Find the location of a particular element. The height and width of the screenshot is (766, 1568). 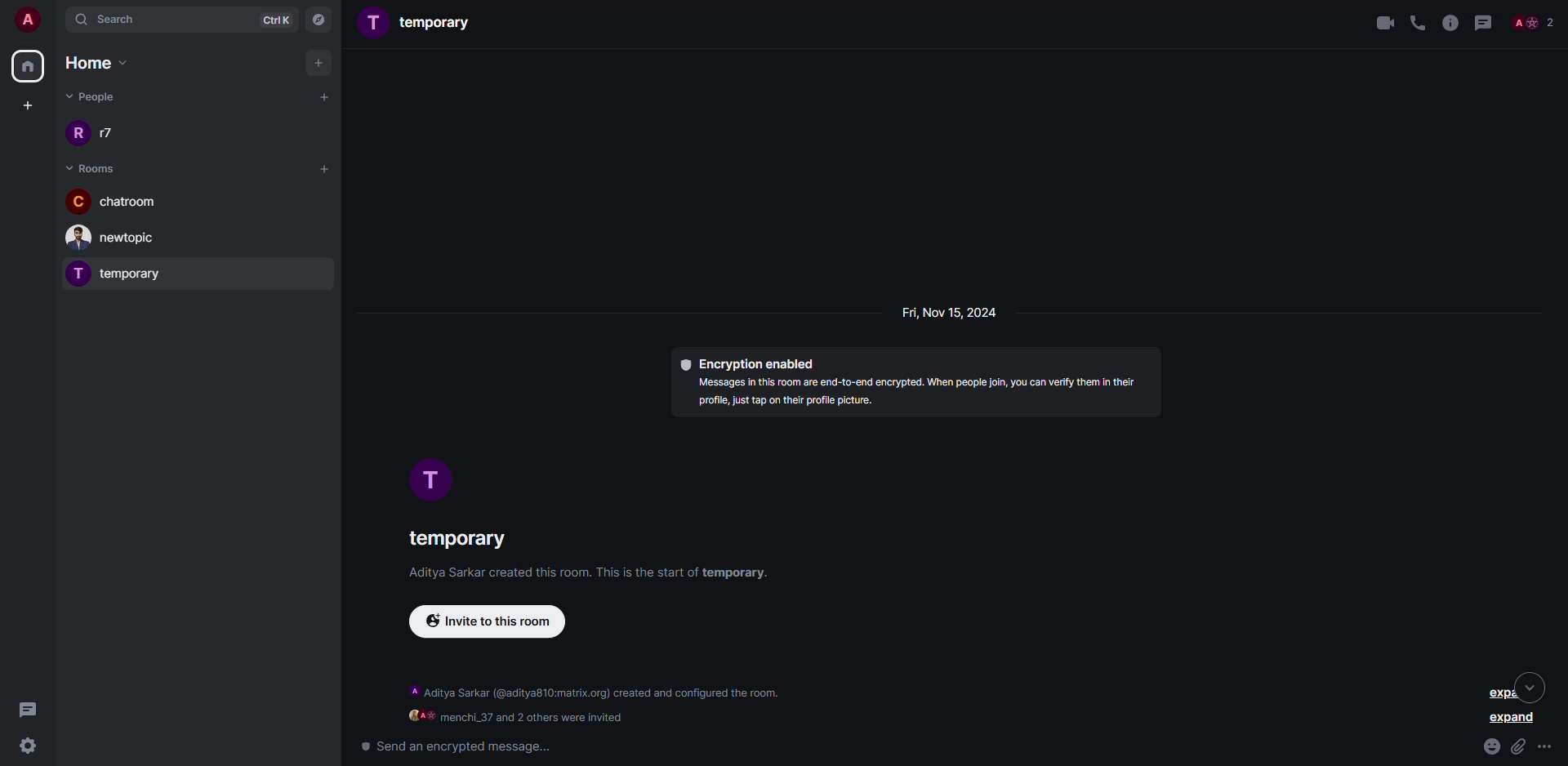

home is located at coordinates (100, 62).